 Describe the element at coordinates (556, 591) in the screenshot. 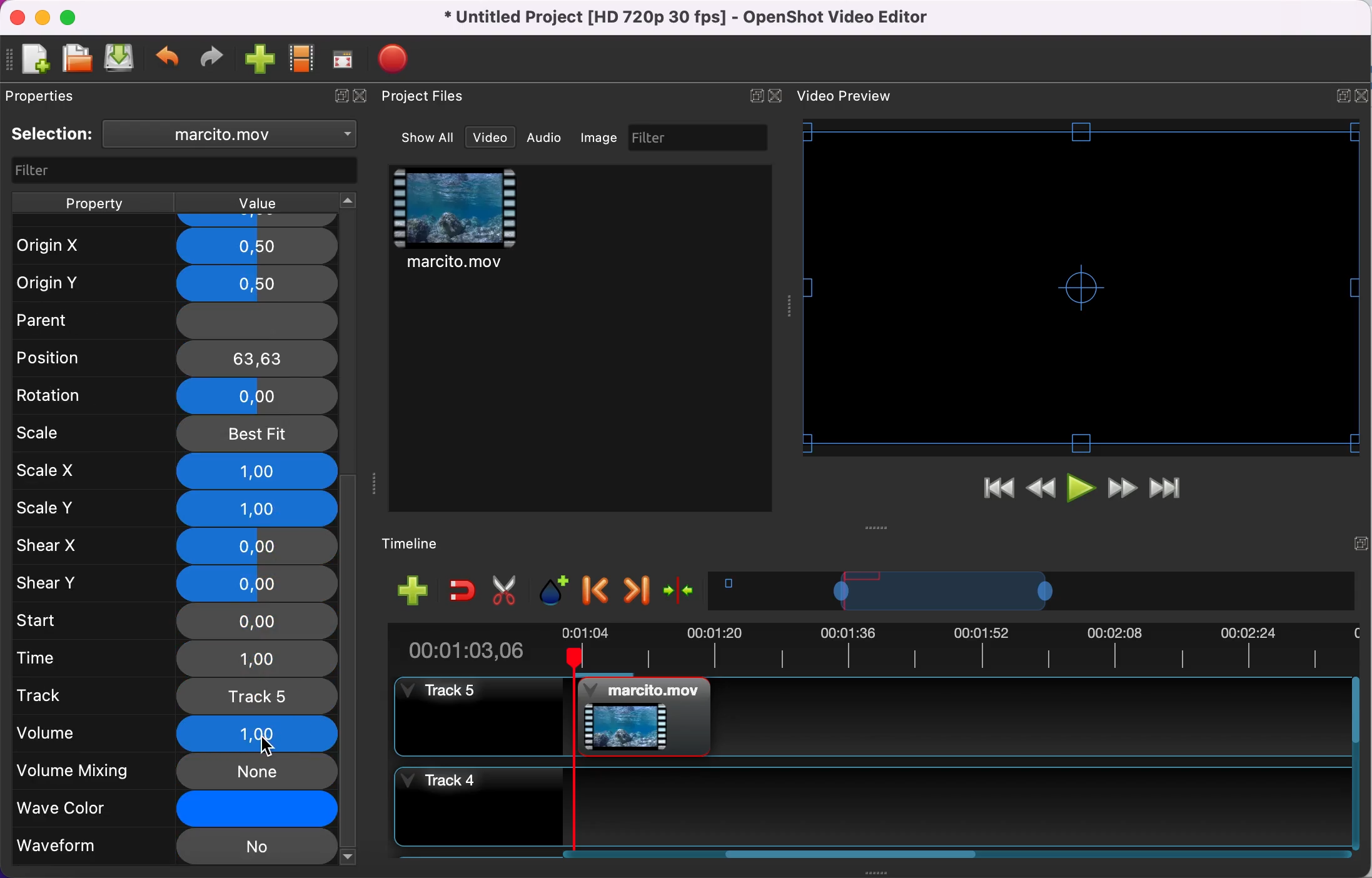

I see `add marker` at that location.